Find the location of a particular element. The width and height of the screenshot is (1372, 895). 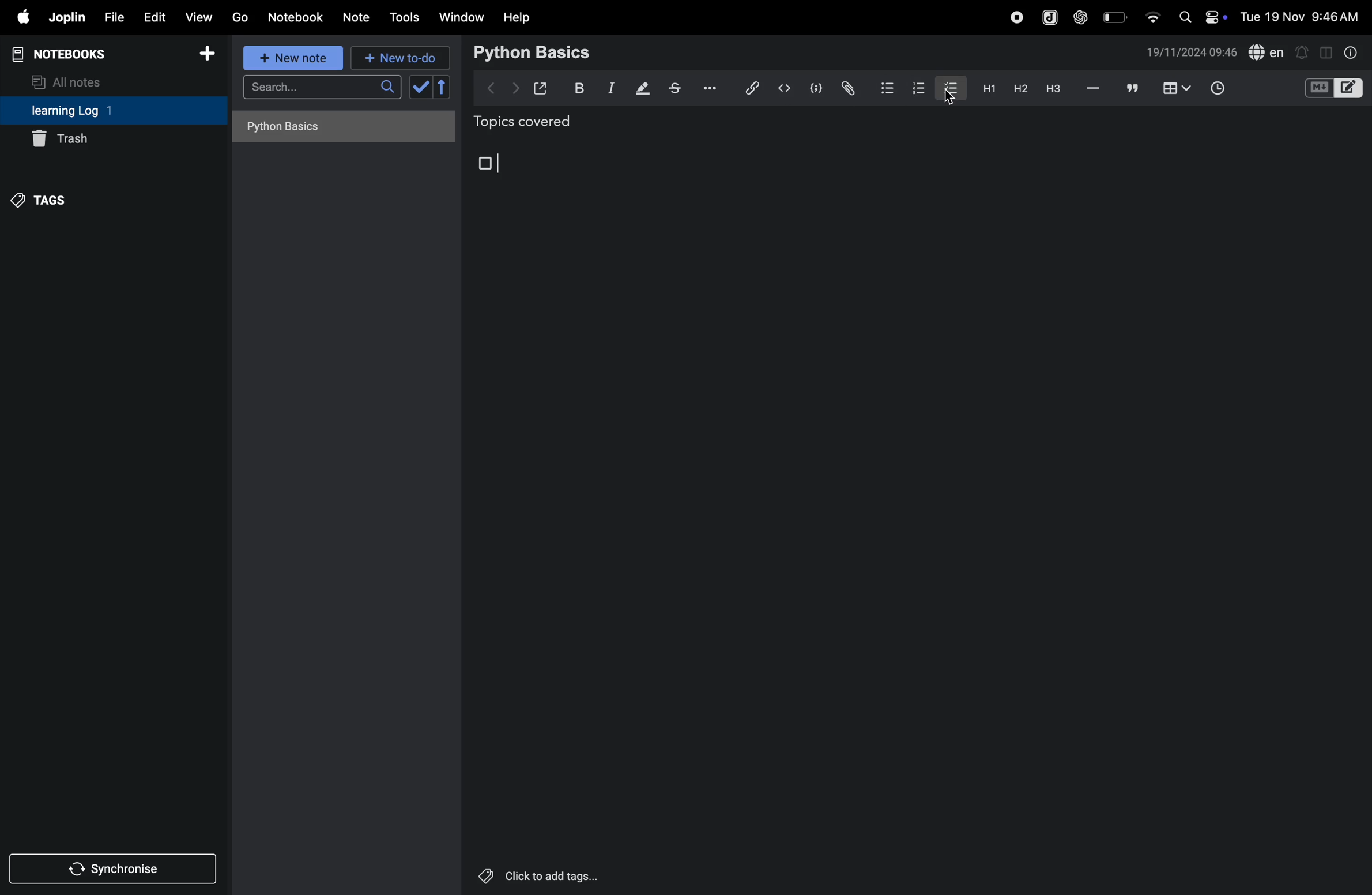

click to add tags is located at coordinates (536, 875).